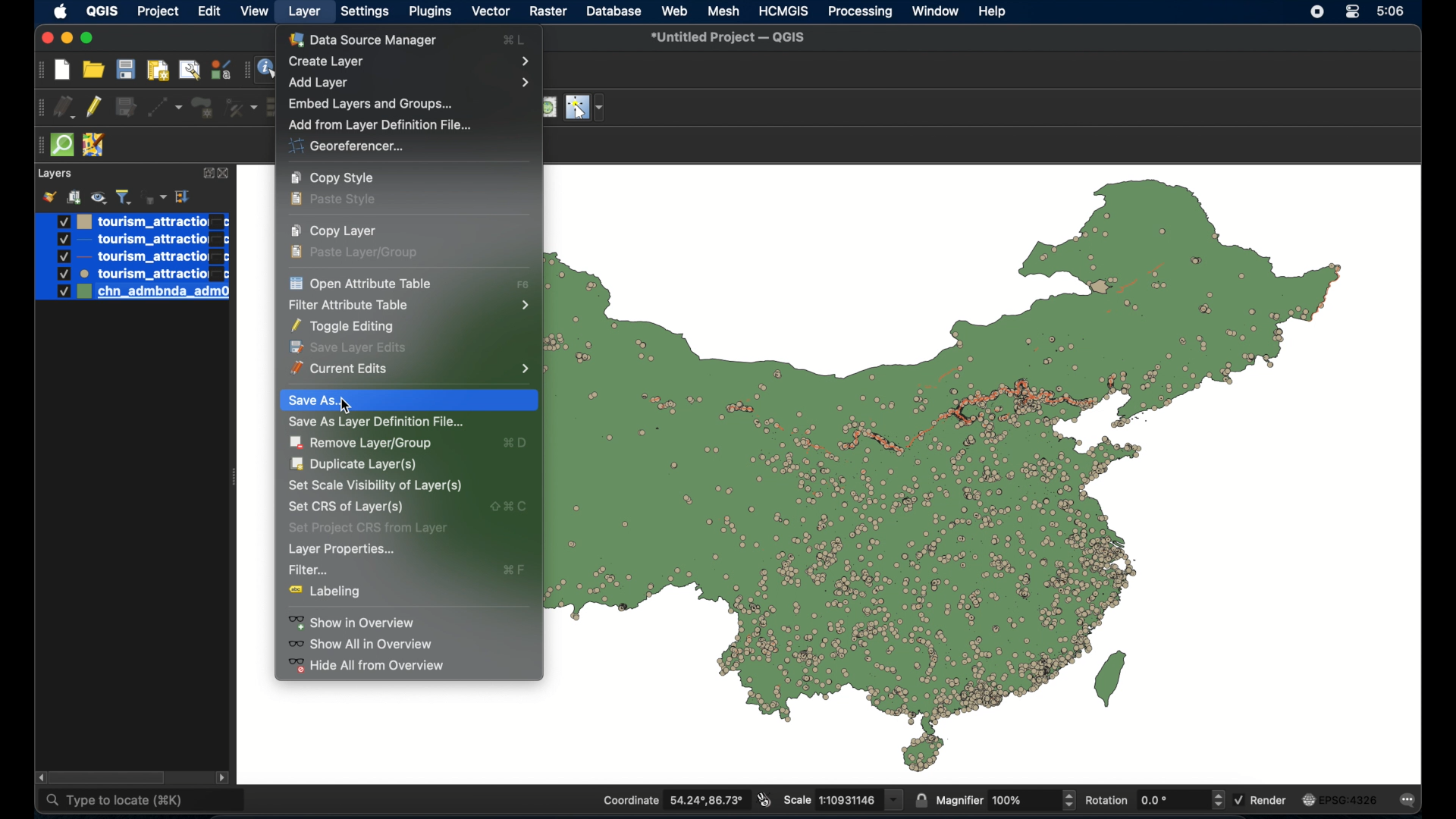  Describe the element at coordinates (382, 125) in the screenshot. I see `add from layer definition file` at that location.